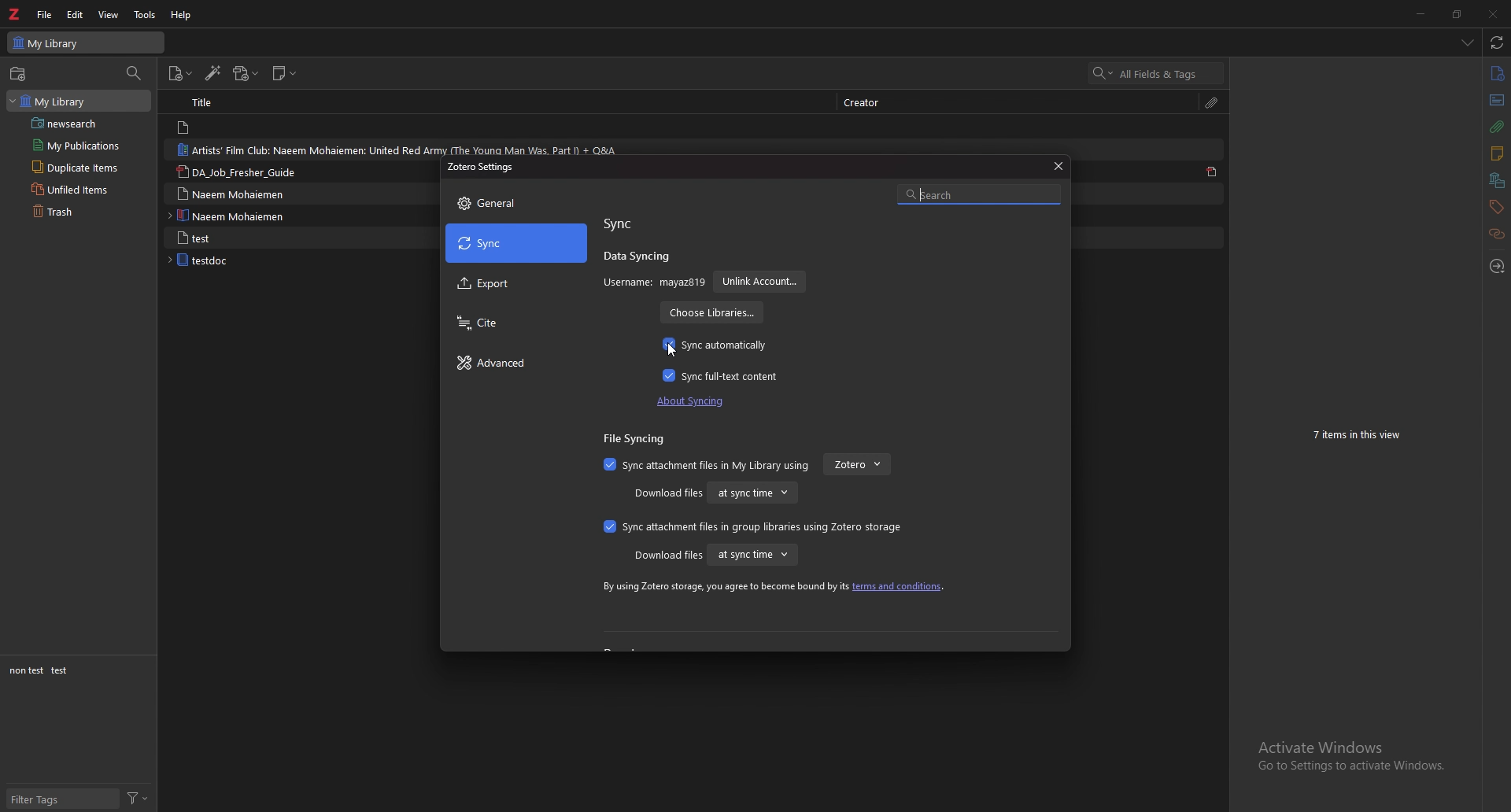 This screenshot has height=812, width=1511. I want to click on advanced, so click(515, 364).